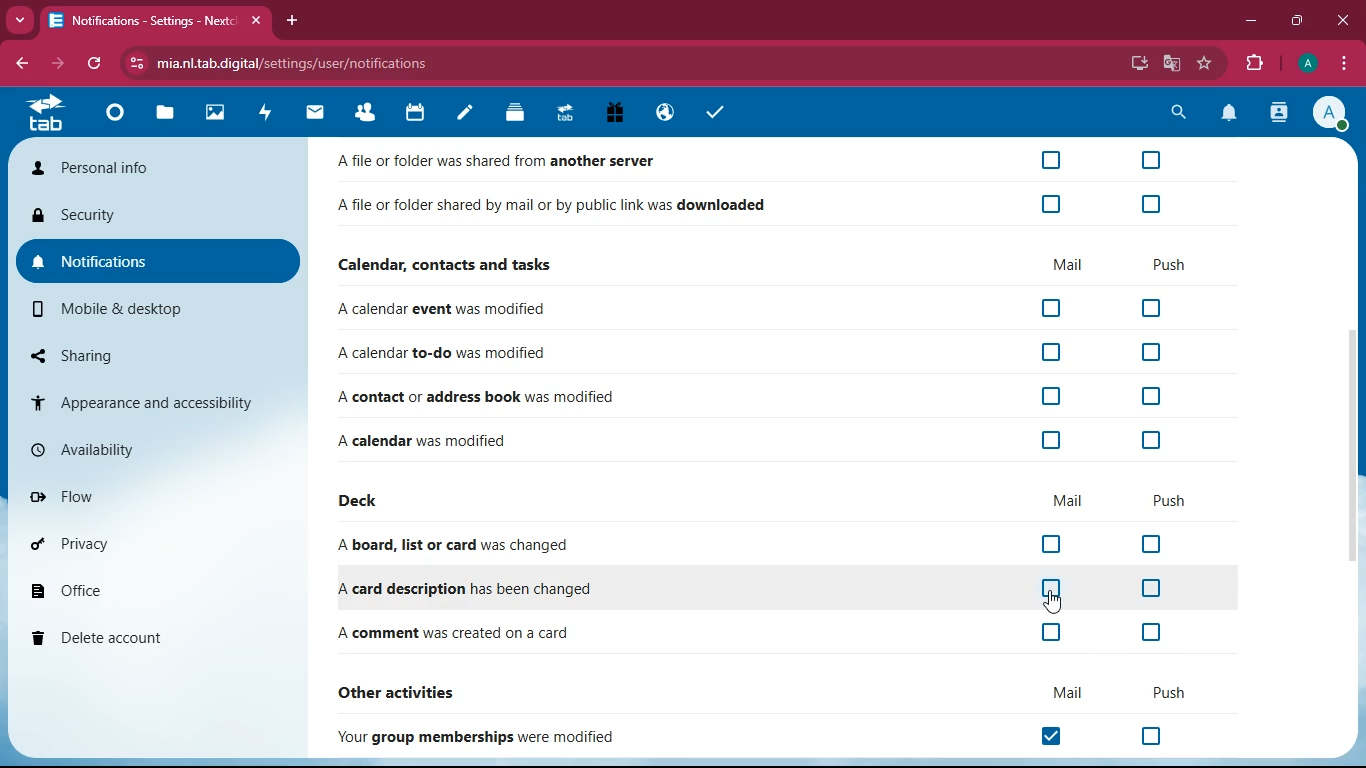 The width and height of the screenshot is (1366, 768). What do you see at coordinates (1250, 61) in the screenshot?
I see `extensions` at bounding box center [1250, 61].